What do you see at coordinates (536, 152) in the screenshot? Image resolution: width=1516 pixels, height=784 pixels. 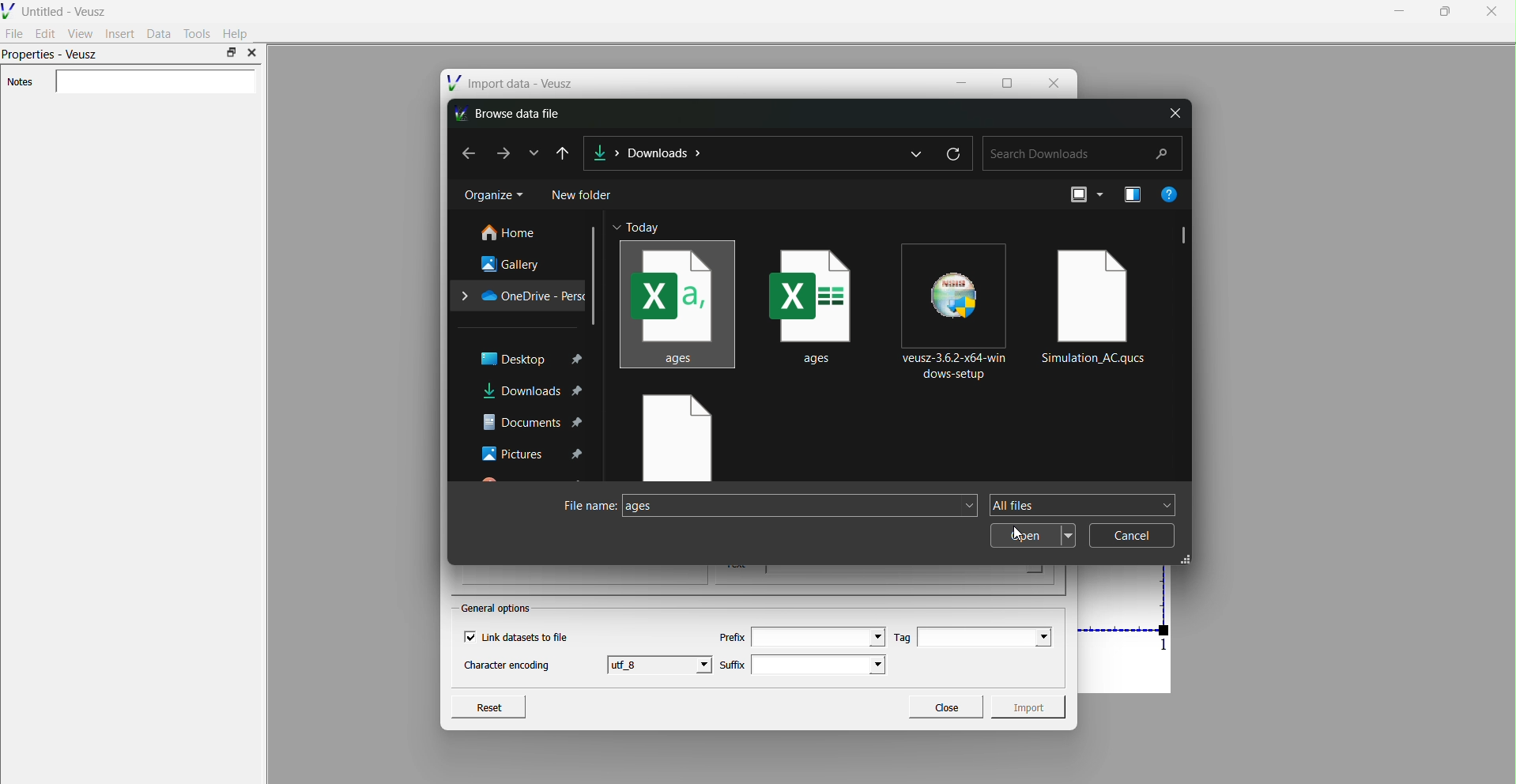 I see `recent` at bounding box center [536, 152].